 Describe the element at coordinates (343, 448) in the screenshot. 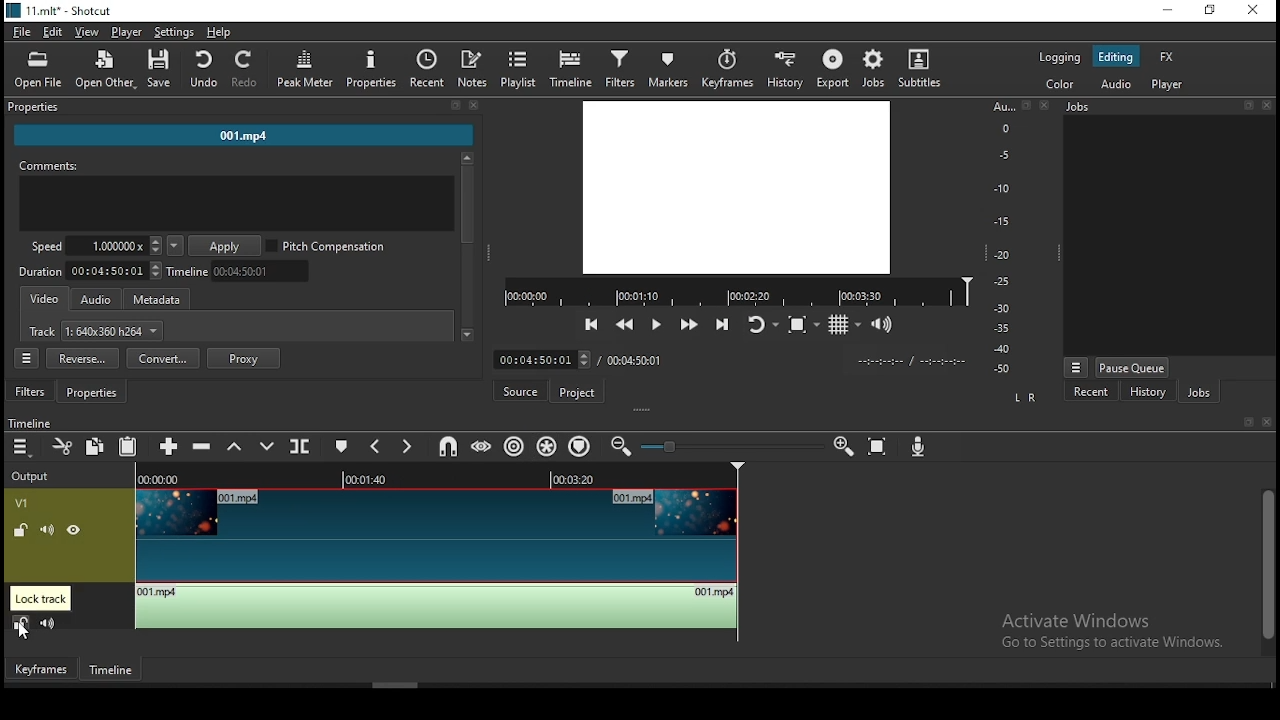

I see `create/edit marker` at that location.